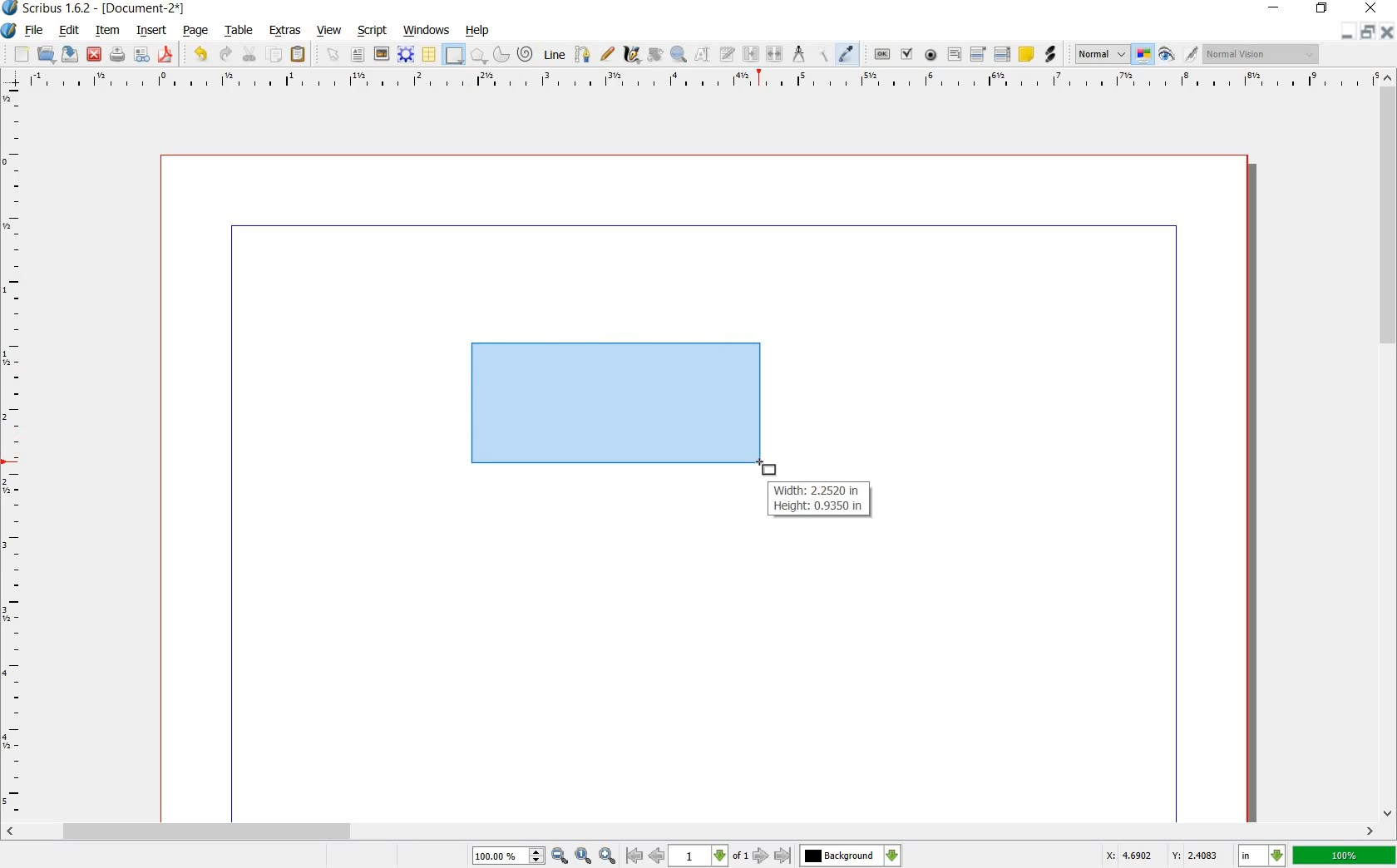 The width and height of the screenshot is (1397, 868). Describe the element at coordinates (1051, 55) in the screenshot. I see `LINK ANNOTATION` at that location.